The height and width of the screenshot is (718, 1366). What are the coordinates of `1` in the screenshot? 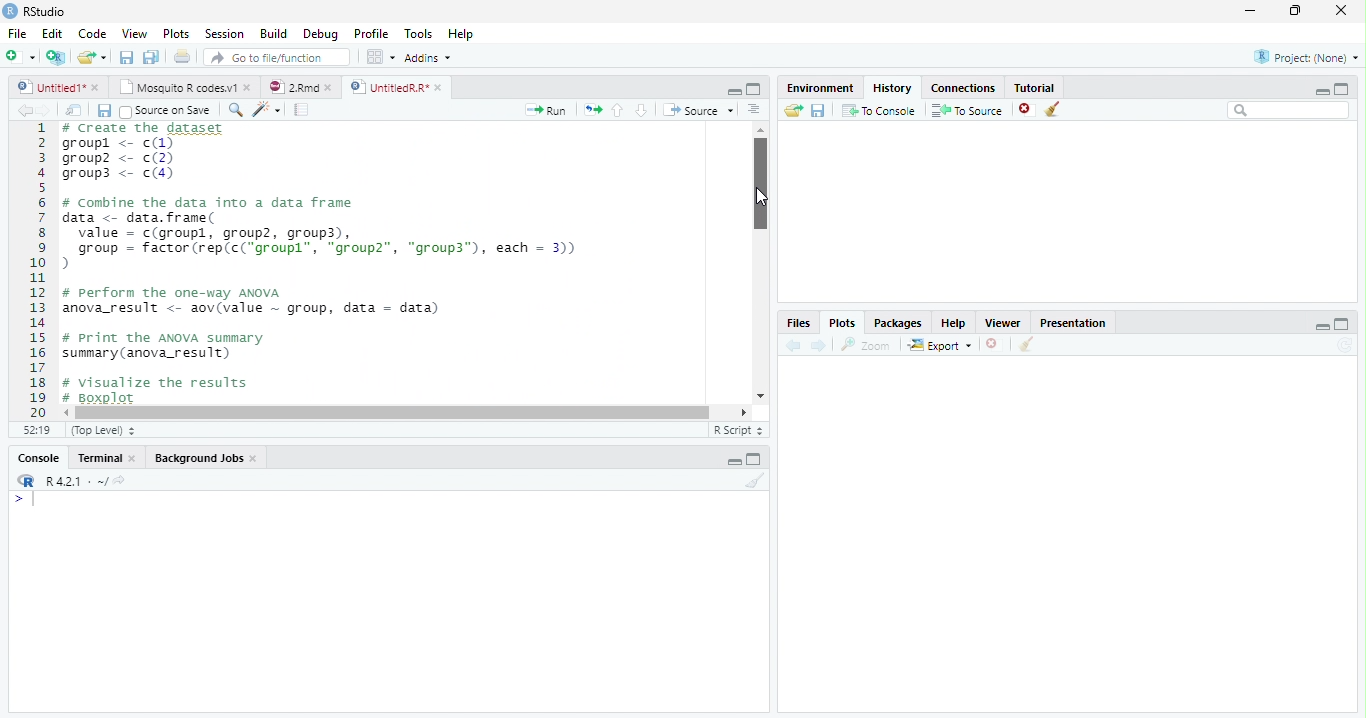 It's located at (37, 268).